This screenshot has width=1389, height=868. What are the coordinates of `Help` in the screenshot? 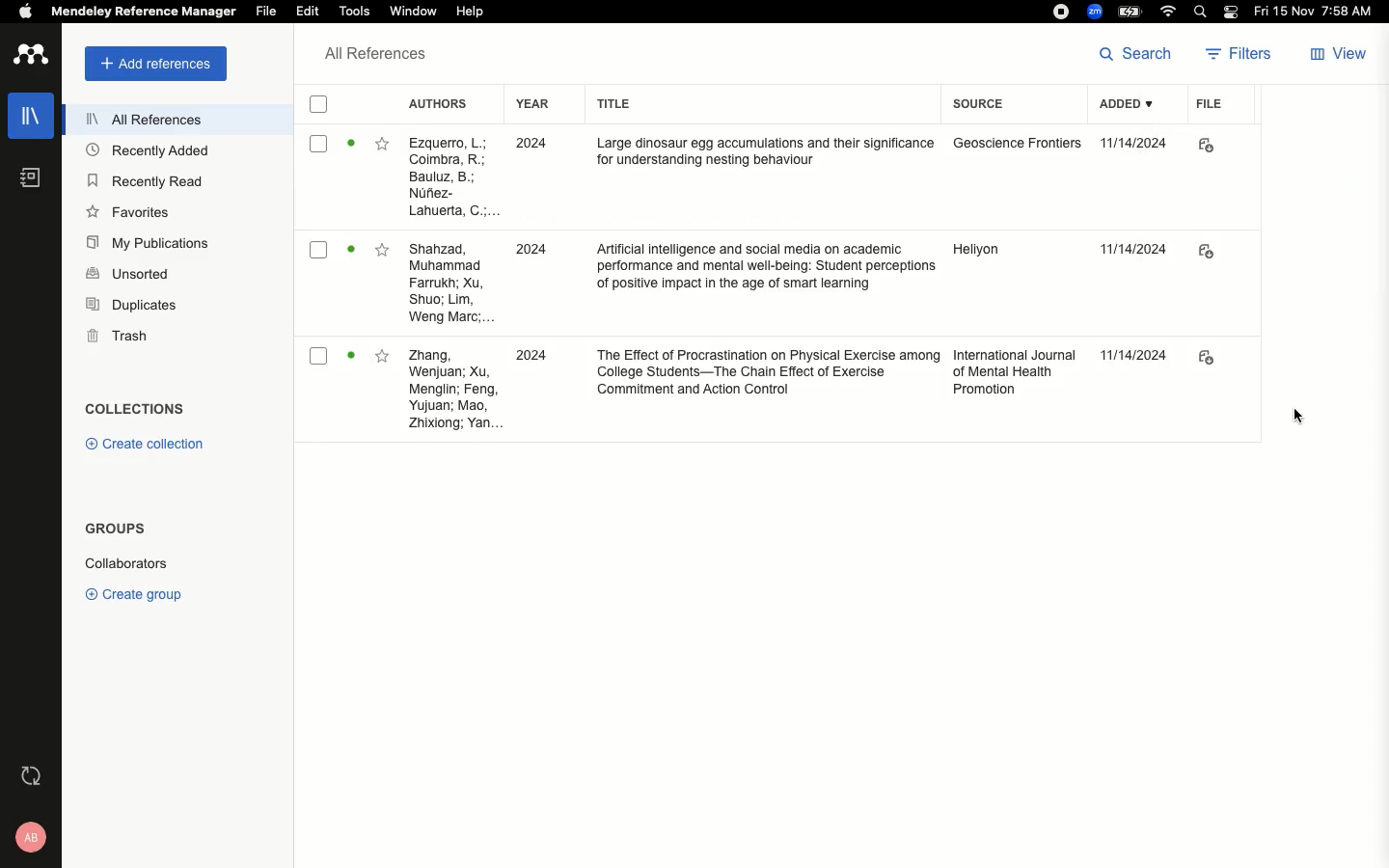 It's located at (471, 10).